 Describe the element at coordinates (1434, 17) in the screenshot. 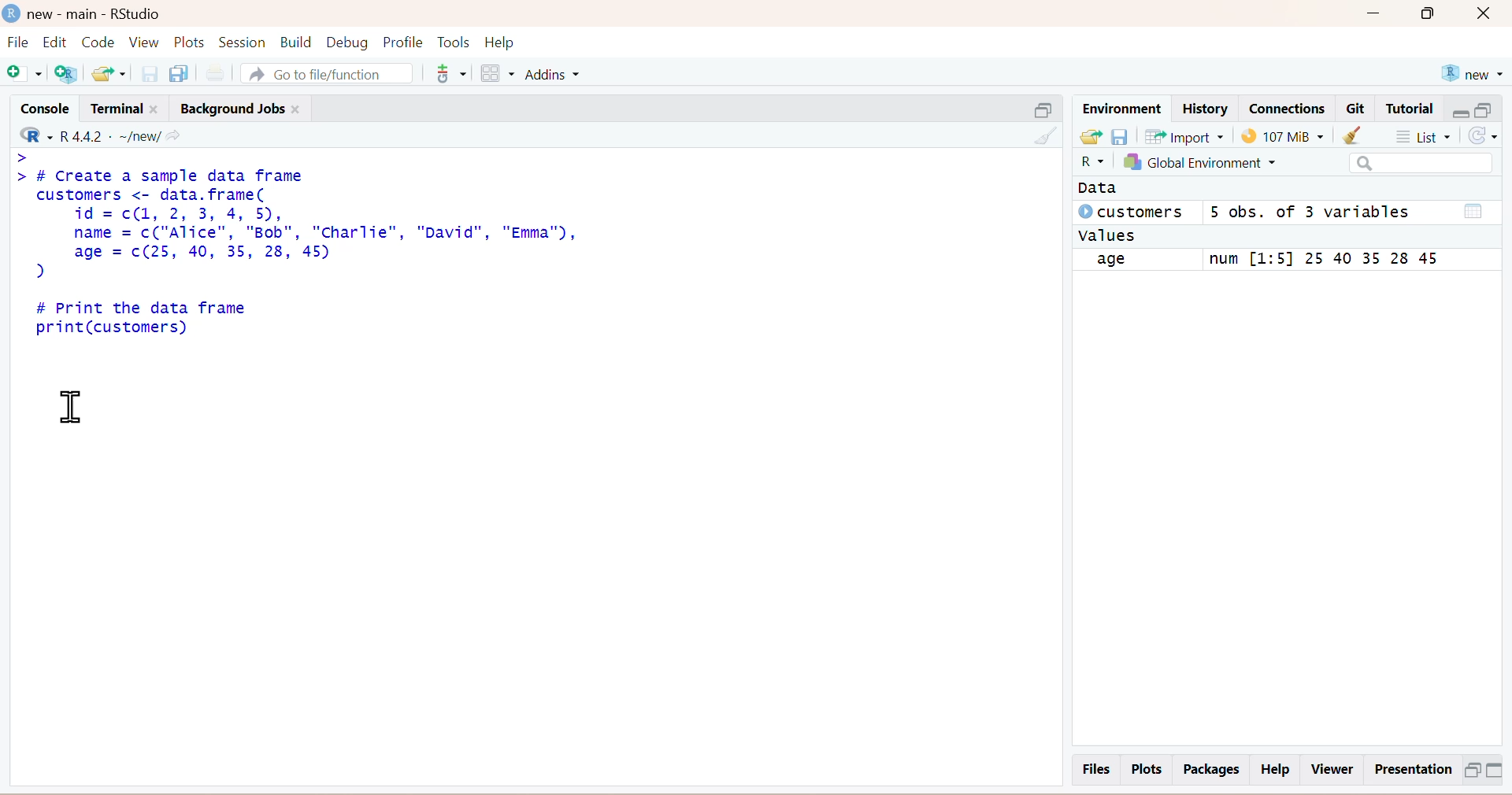

I see `Maximize` at that location.